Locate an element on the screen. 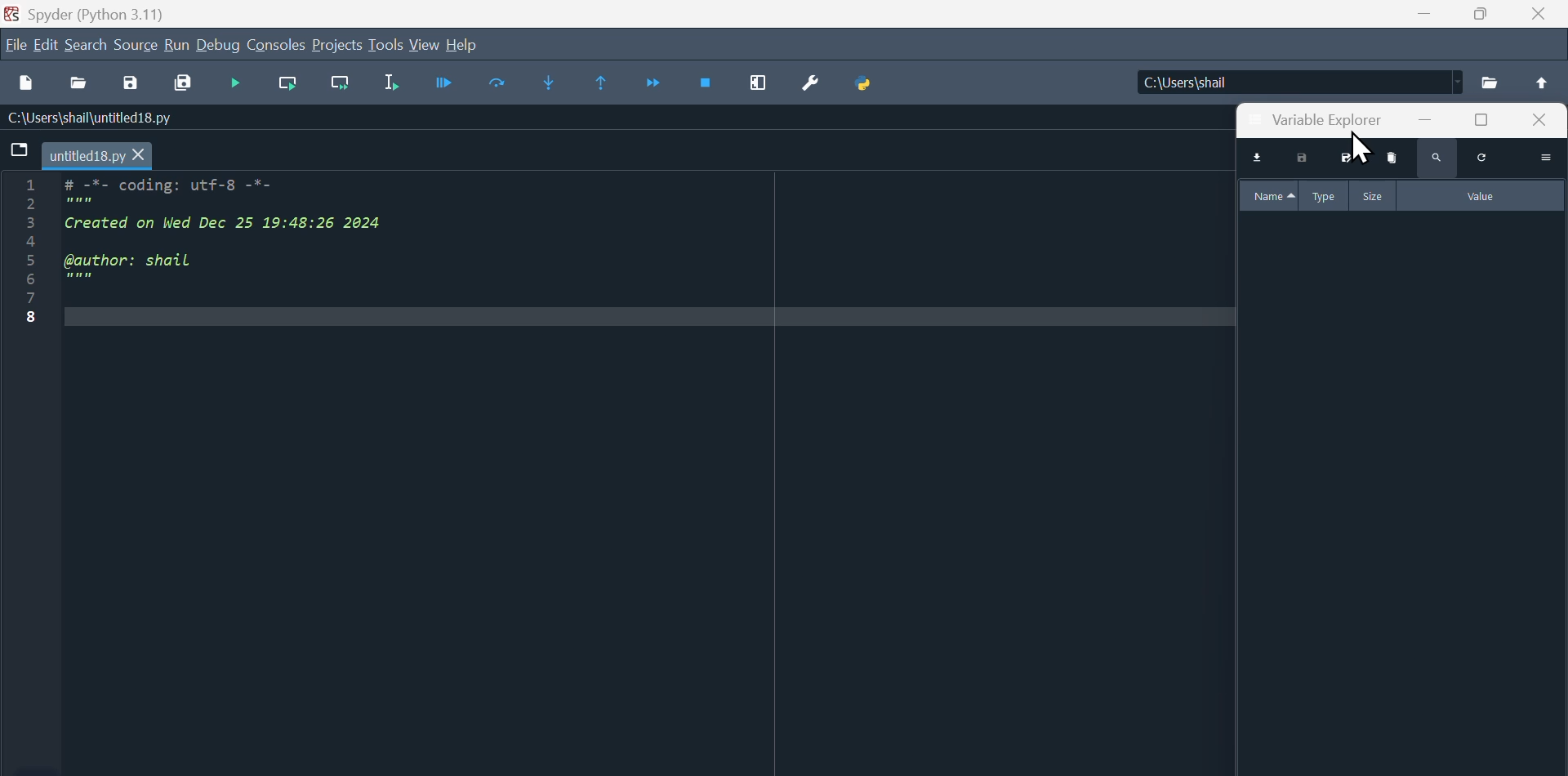 The width and height of the screenshot is (1568, 776). View is located at coordinates (423, 45).